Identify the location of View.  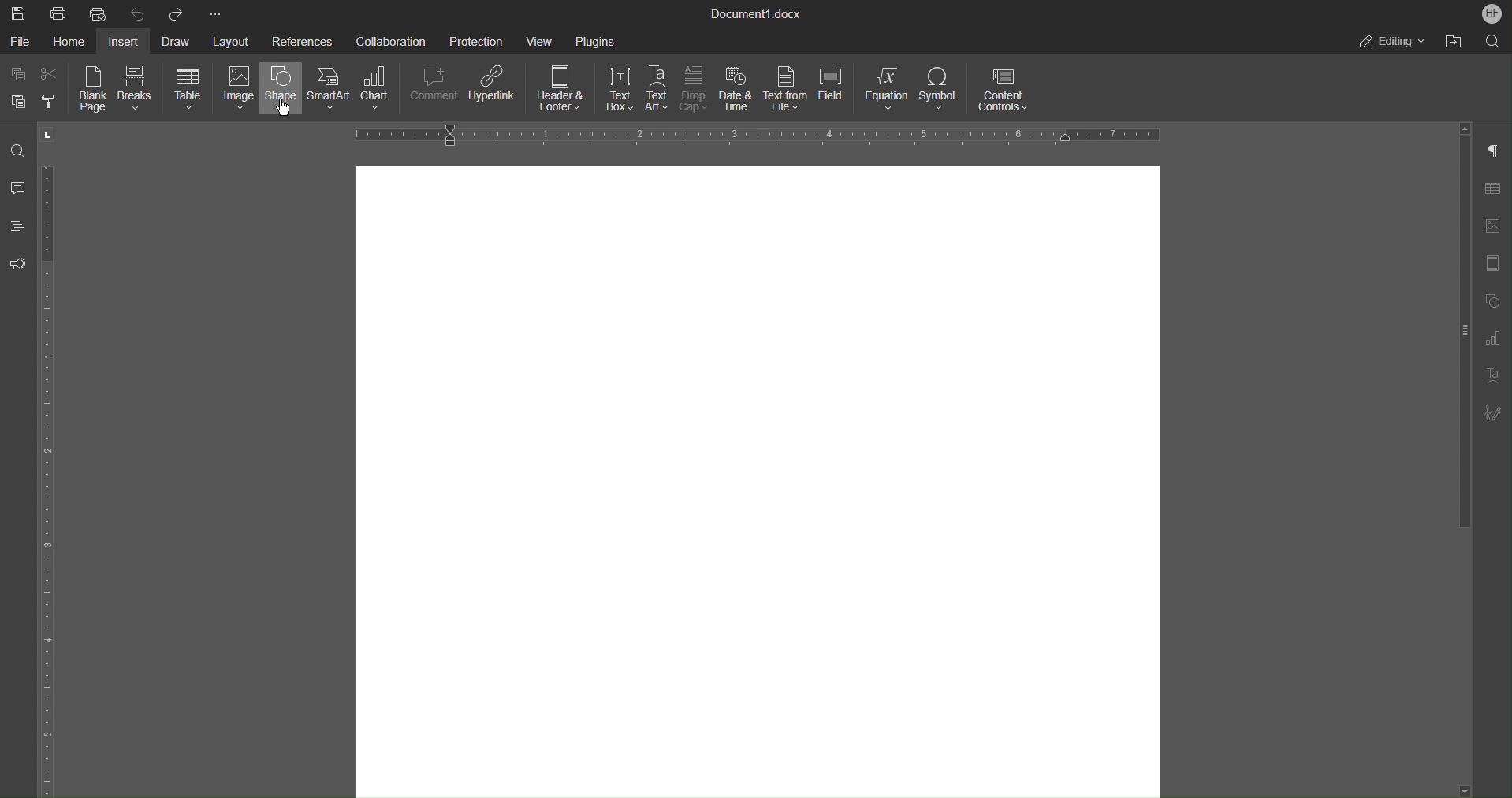
(543, 40).